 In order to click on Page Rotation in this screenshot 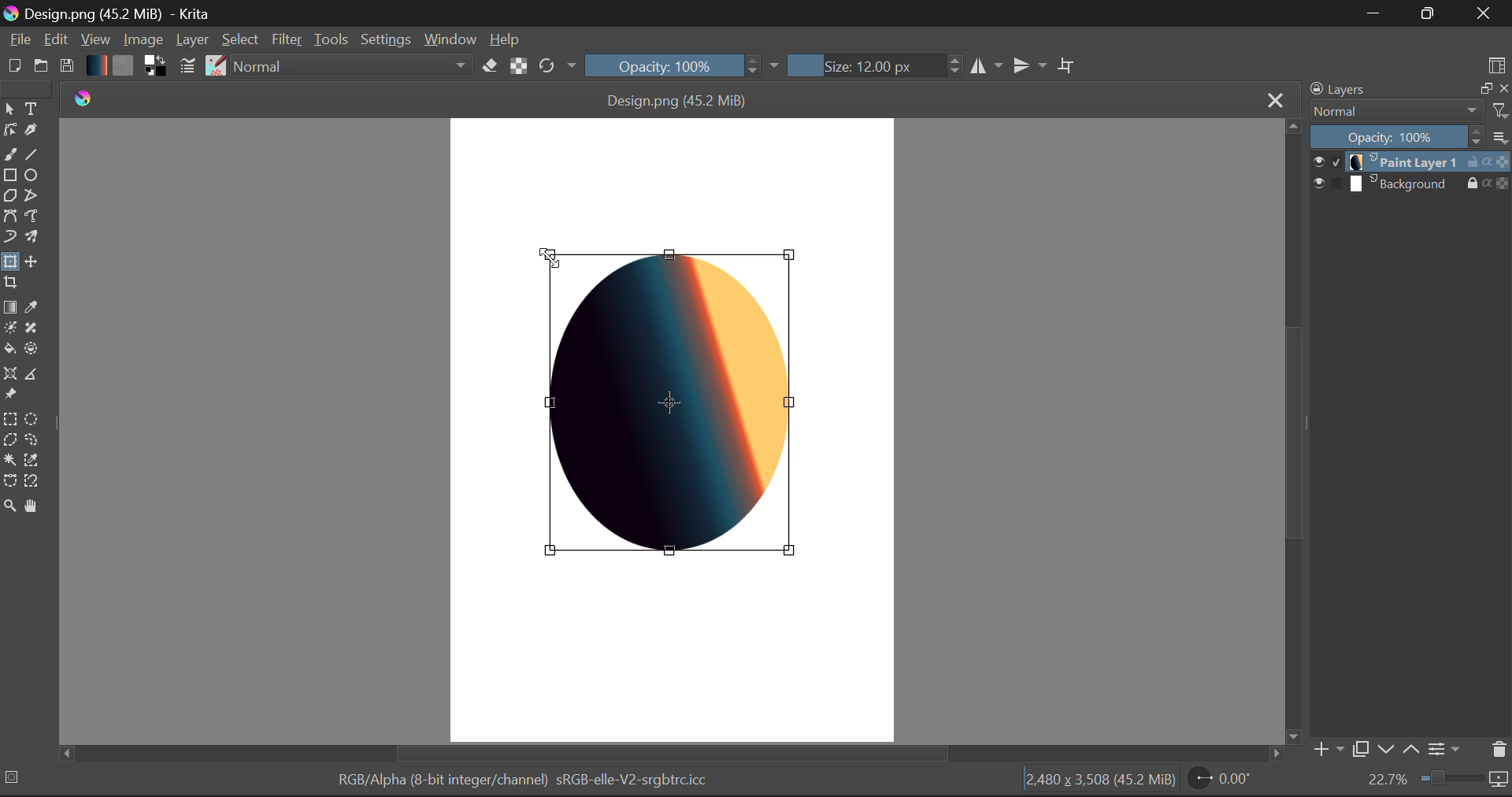, I will do `click(1218, 780)`.